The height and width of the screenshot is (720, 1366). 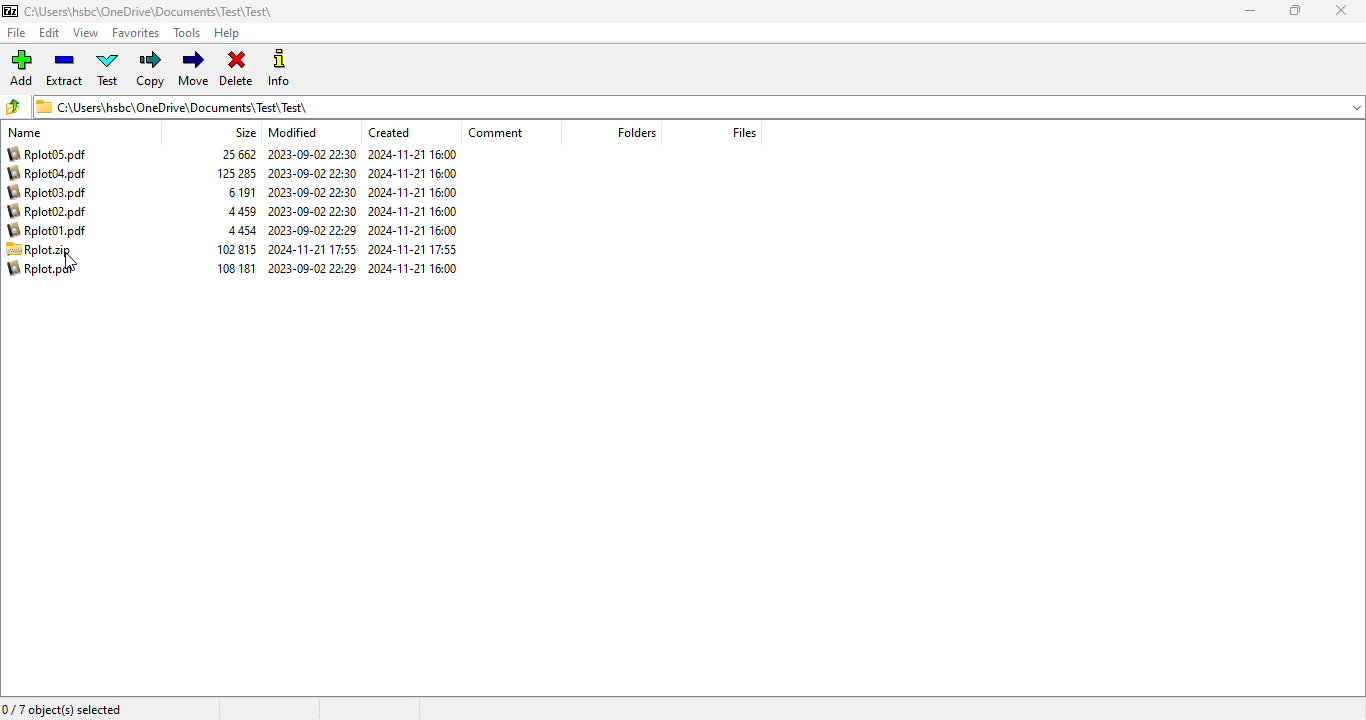 I want to click on 25662, so click(x=238, y=153).